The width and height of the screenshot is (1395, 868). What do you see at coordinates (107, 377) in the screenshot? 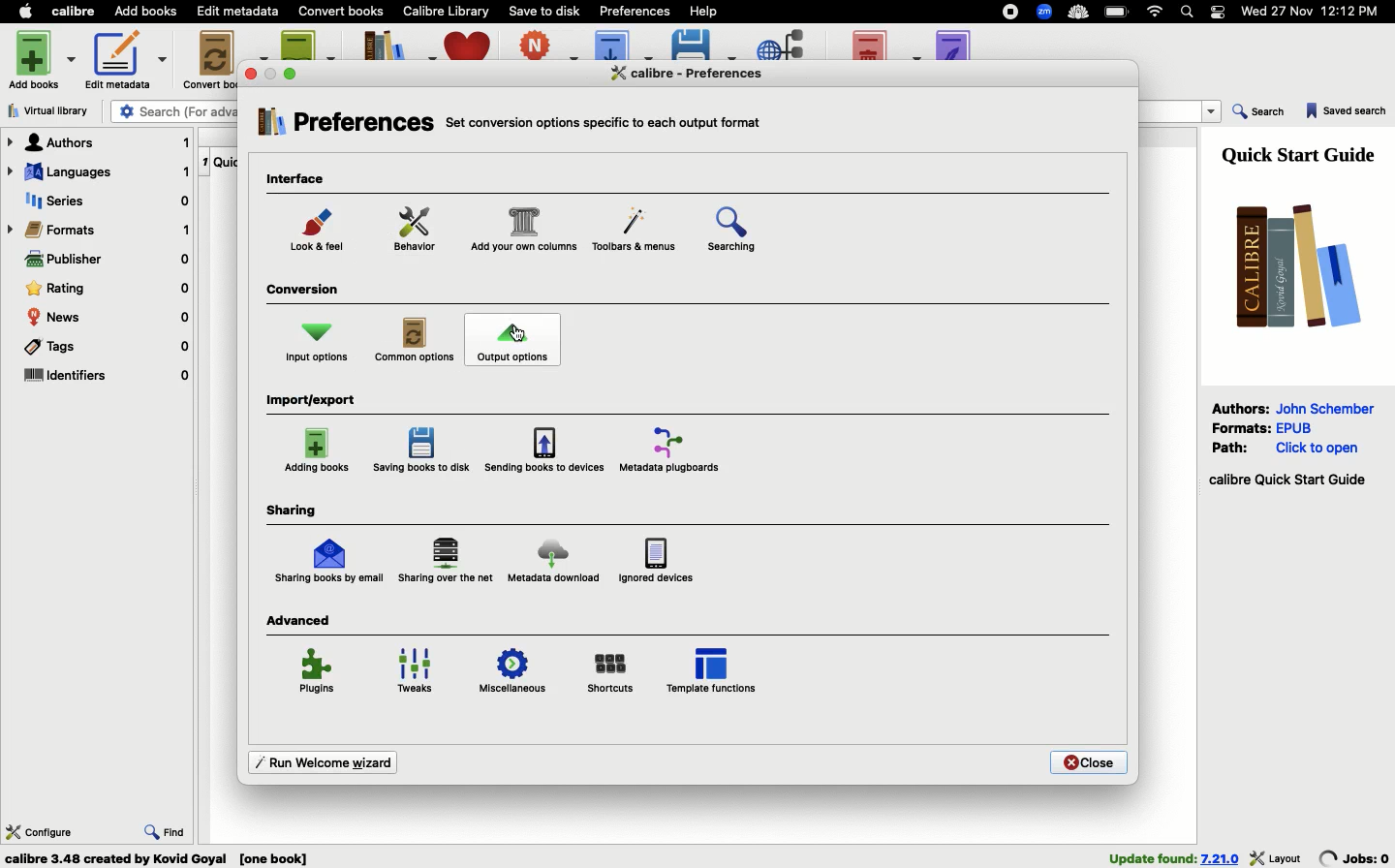
I see `Identifiers` at bounding box center [107, 377].